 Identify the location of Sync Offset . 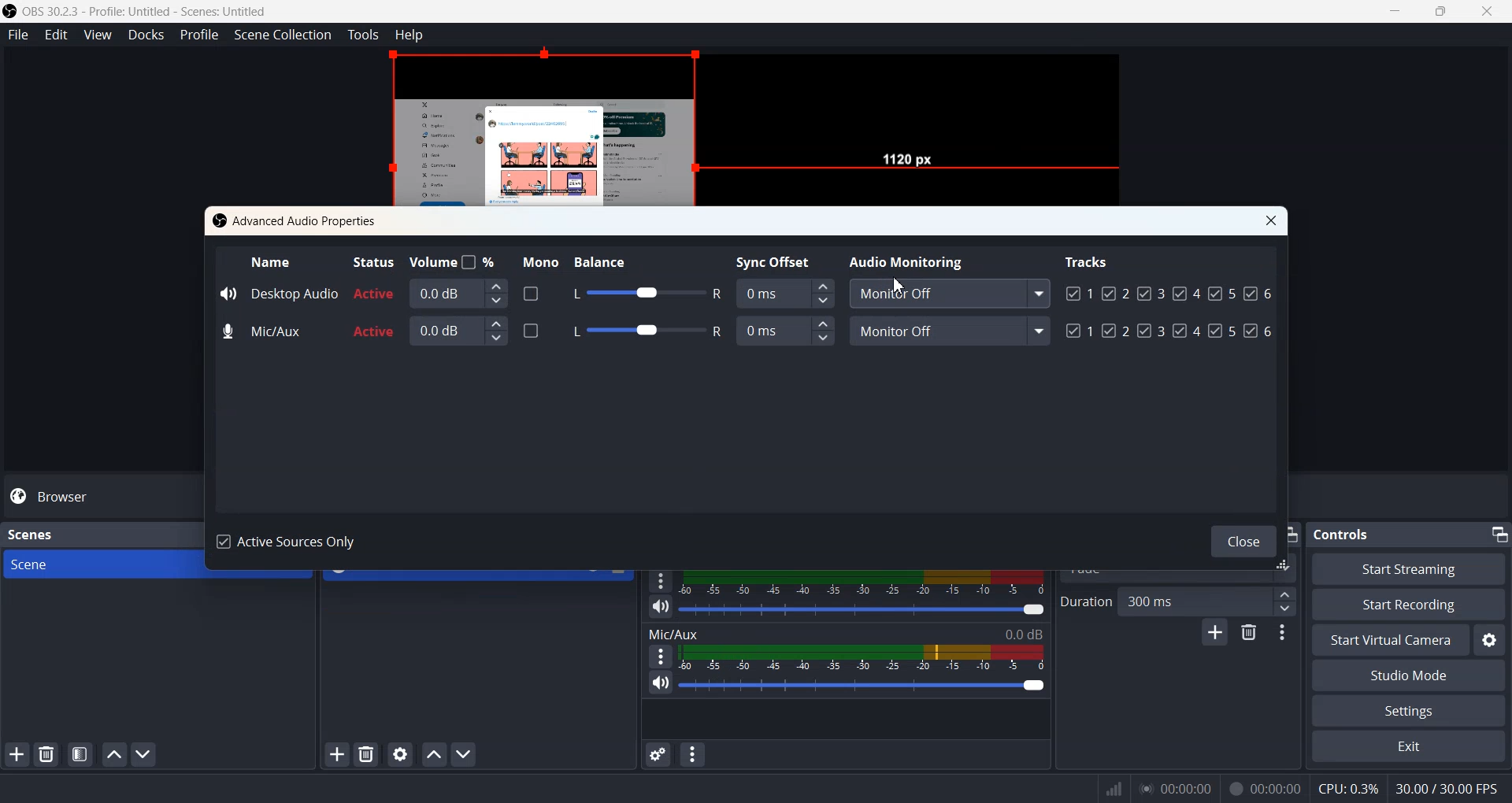
(784, 292).